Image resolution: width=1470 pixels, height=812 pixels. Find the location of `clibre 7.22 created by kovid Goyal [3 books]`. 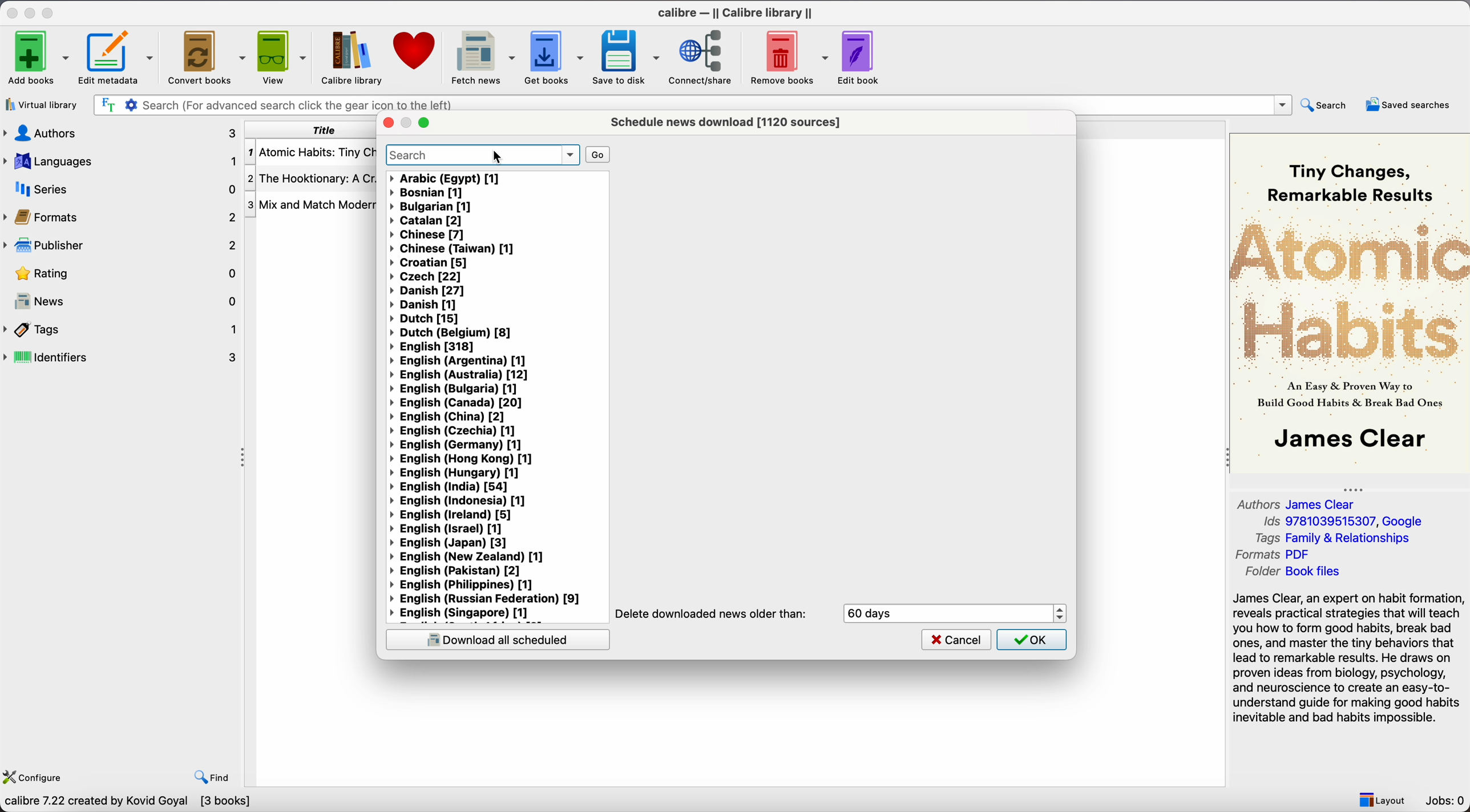

clibre 7.22 created by kovid Goyal [3 books] is located at coordinates (127, 803).